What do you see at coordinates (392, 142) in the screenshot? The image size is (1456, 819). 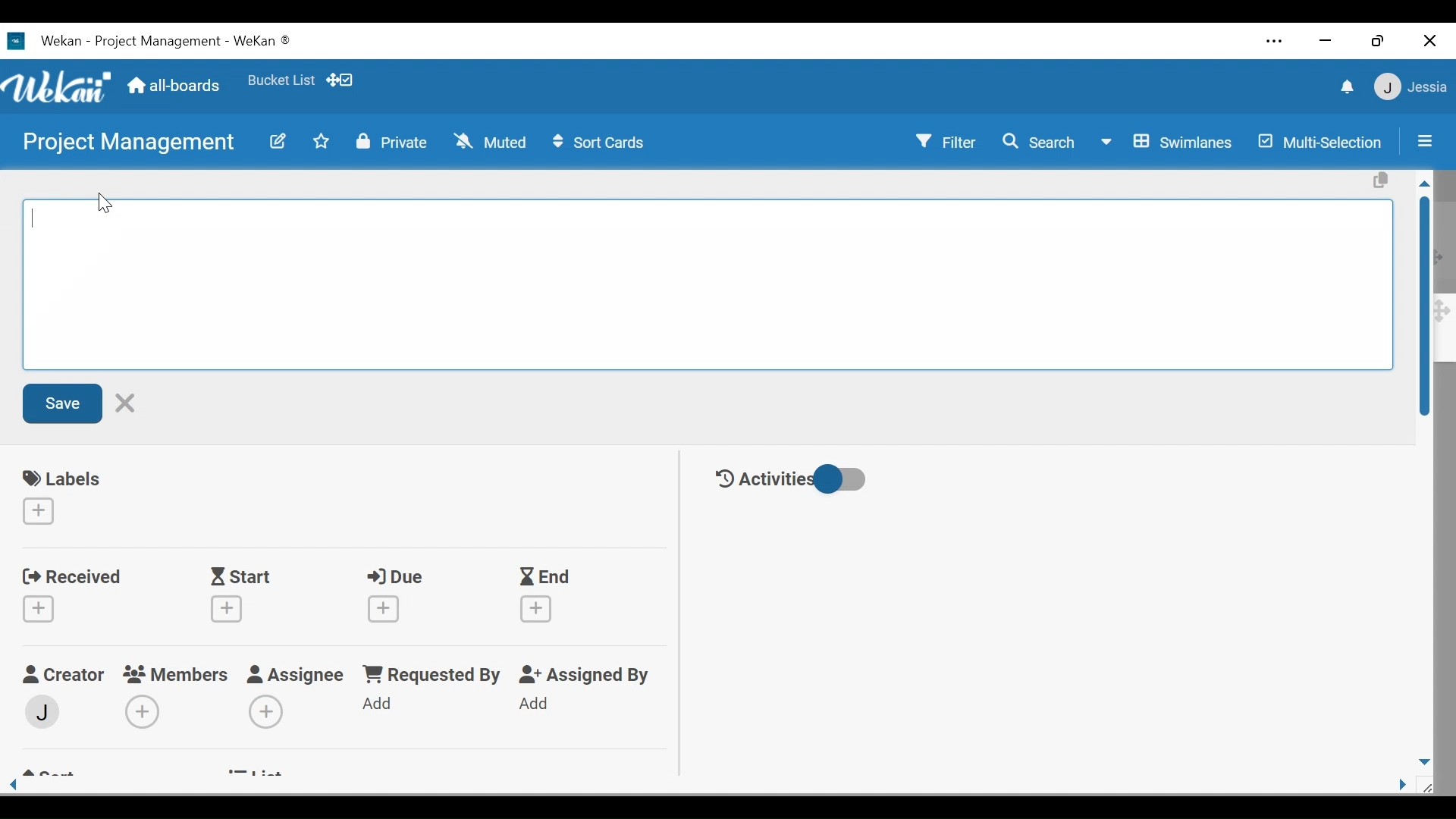 I see `Private` at bounding box center [392, 142].